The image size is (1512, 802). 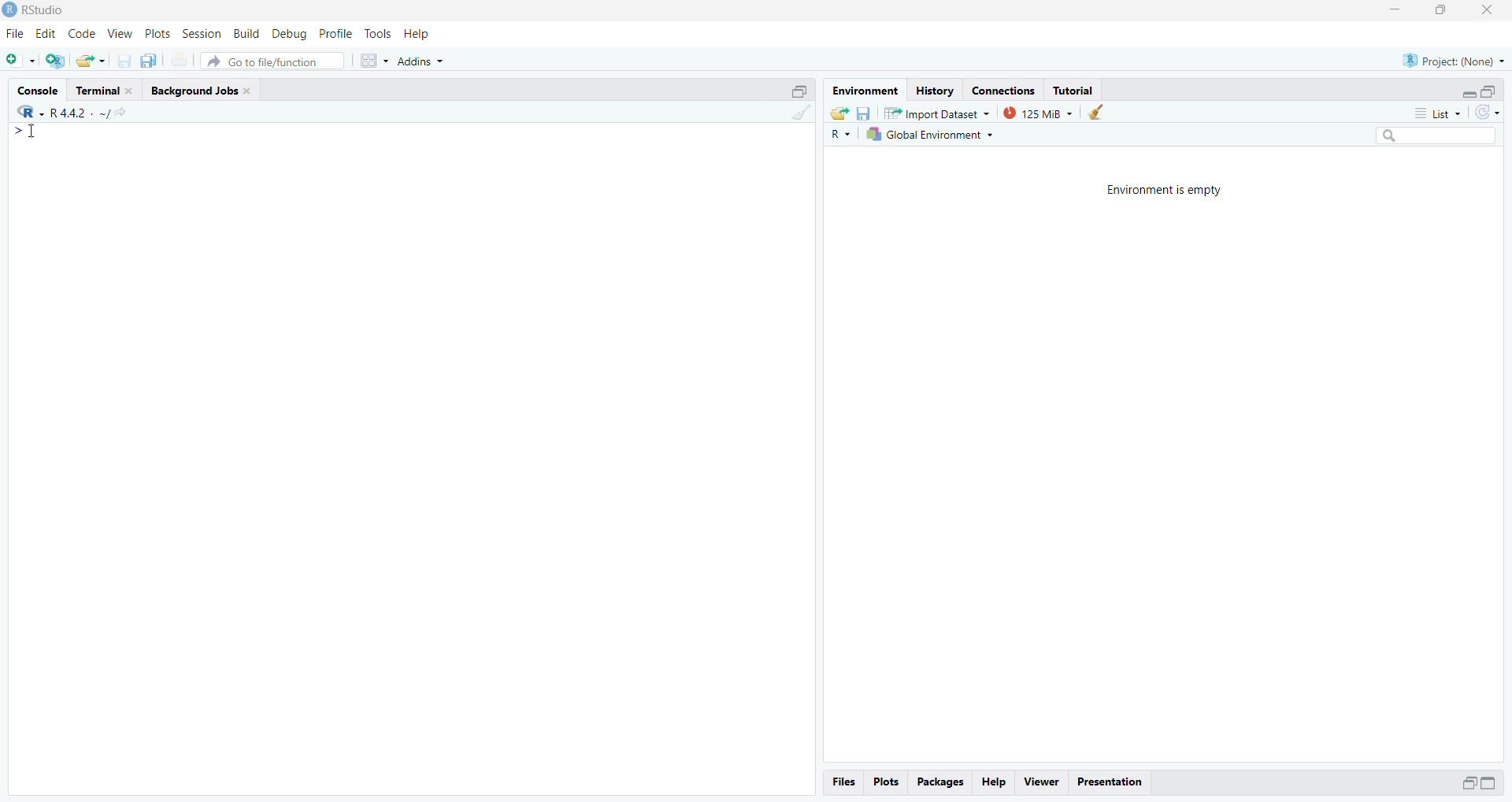 I want to click on Addins, so click(x=421, y=61).